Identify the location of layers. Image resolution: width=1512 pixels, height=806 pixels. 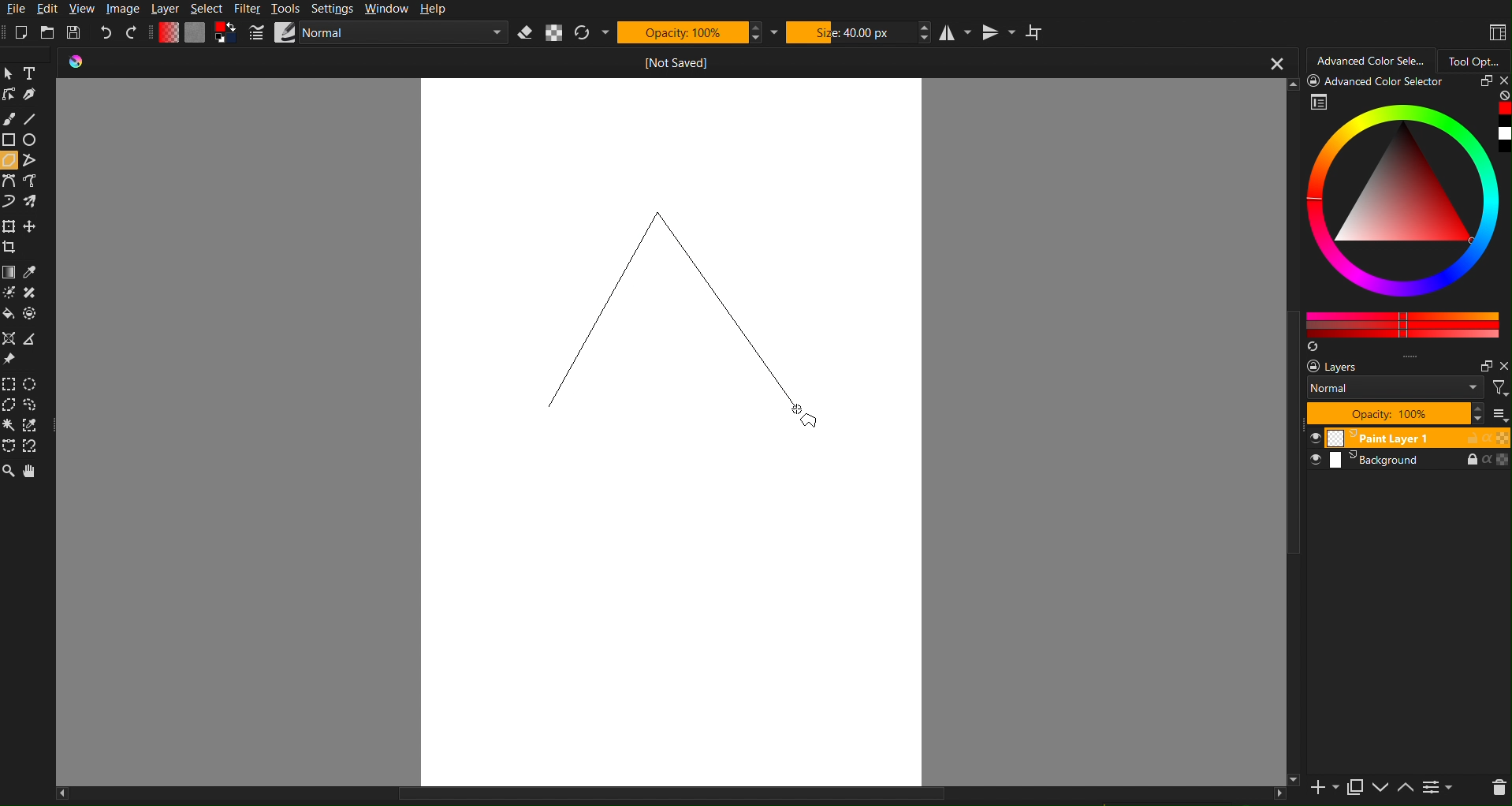
(1349, 366).